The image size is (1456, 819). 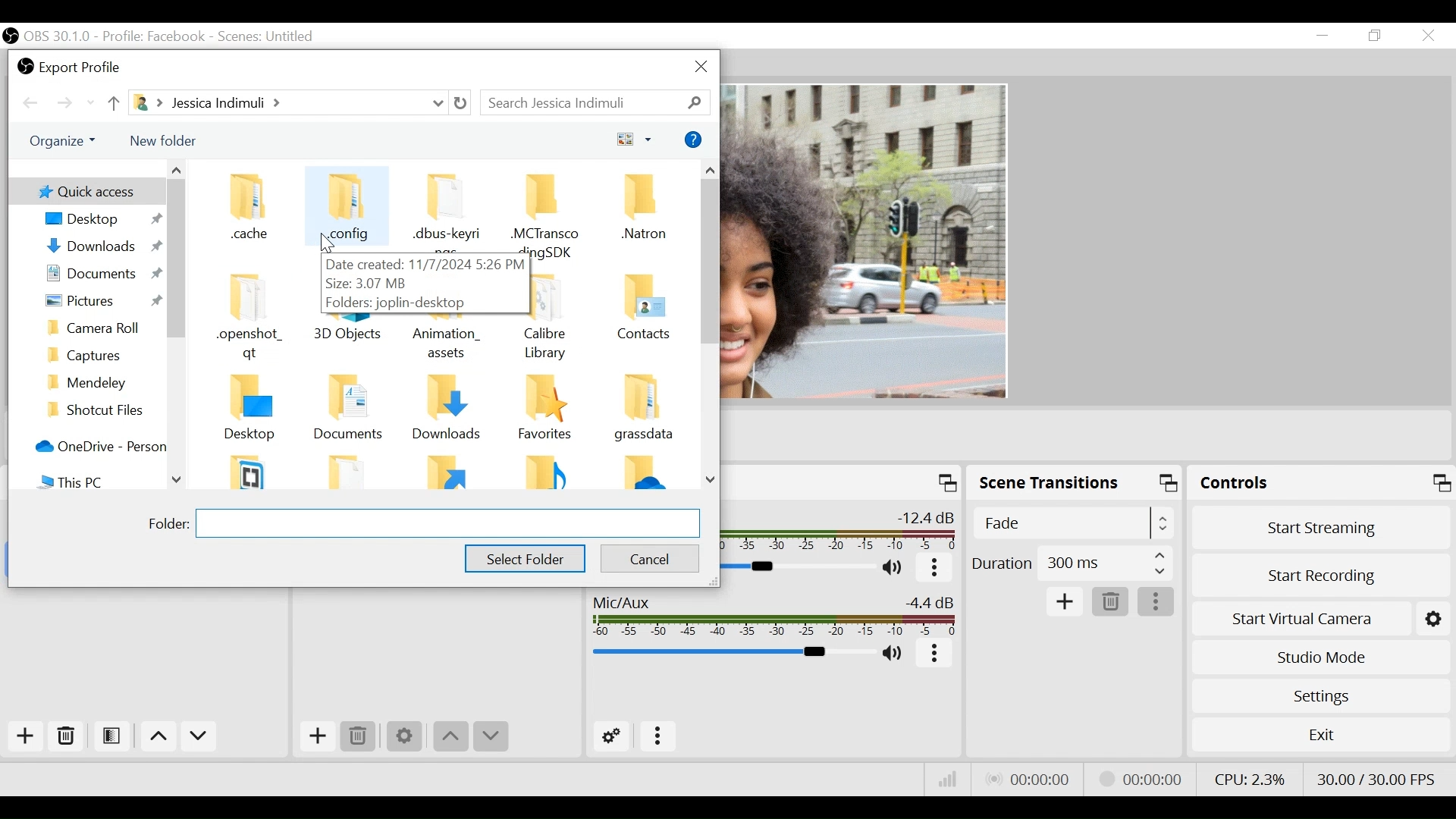 I want to click on Move Up, so click(x=450, y=739).